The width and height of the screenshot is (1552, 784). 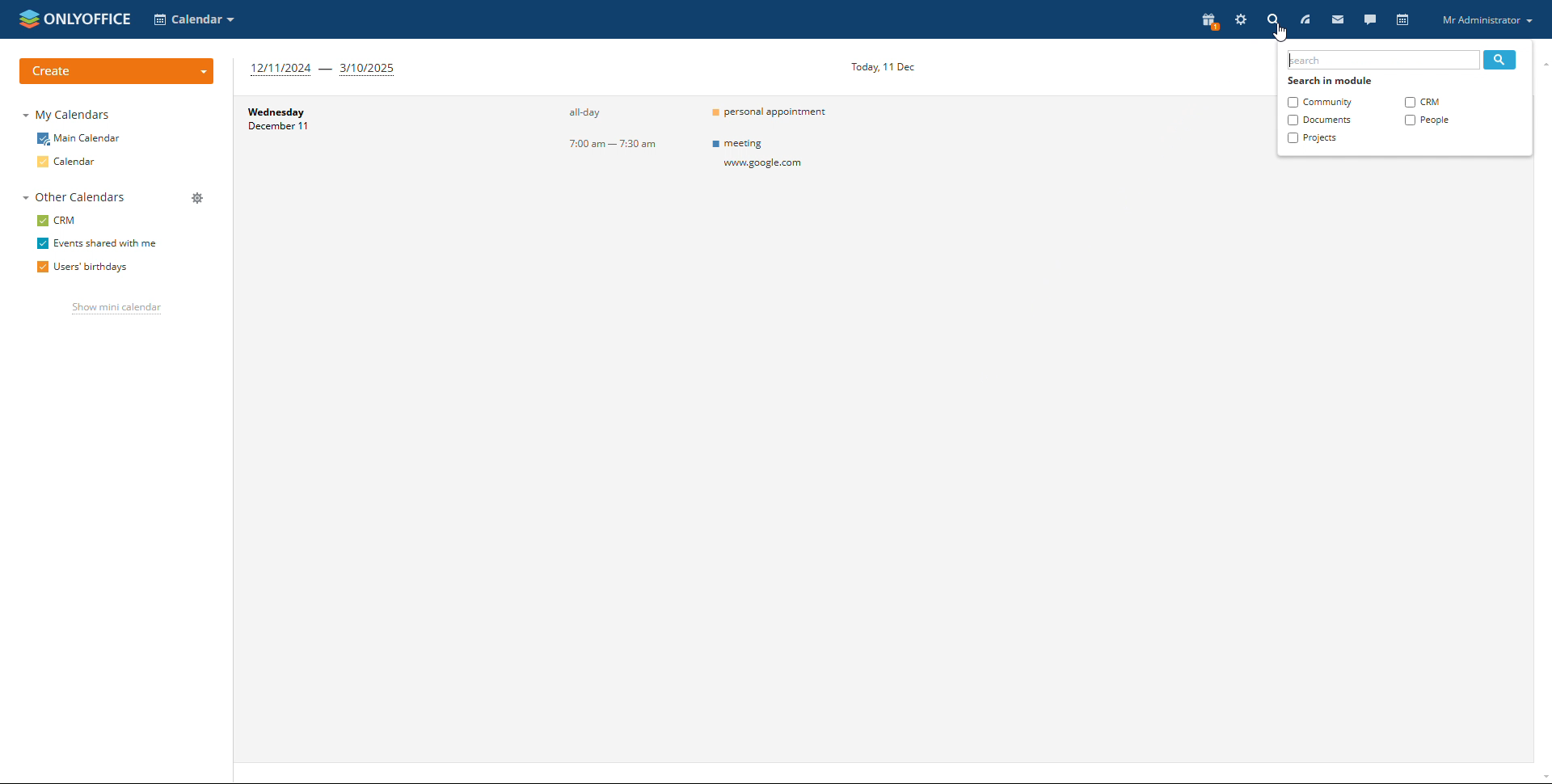 What do you see at coordinates (1242, 20) in the screenshot?
I see `settings` at bounding box center [1242, 20].